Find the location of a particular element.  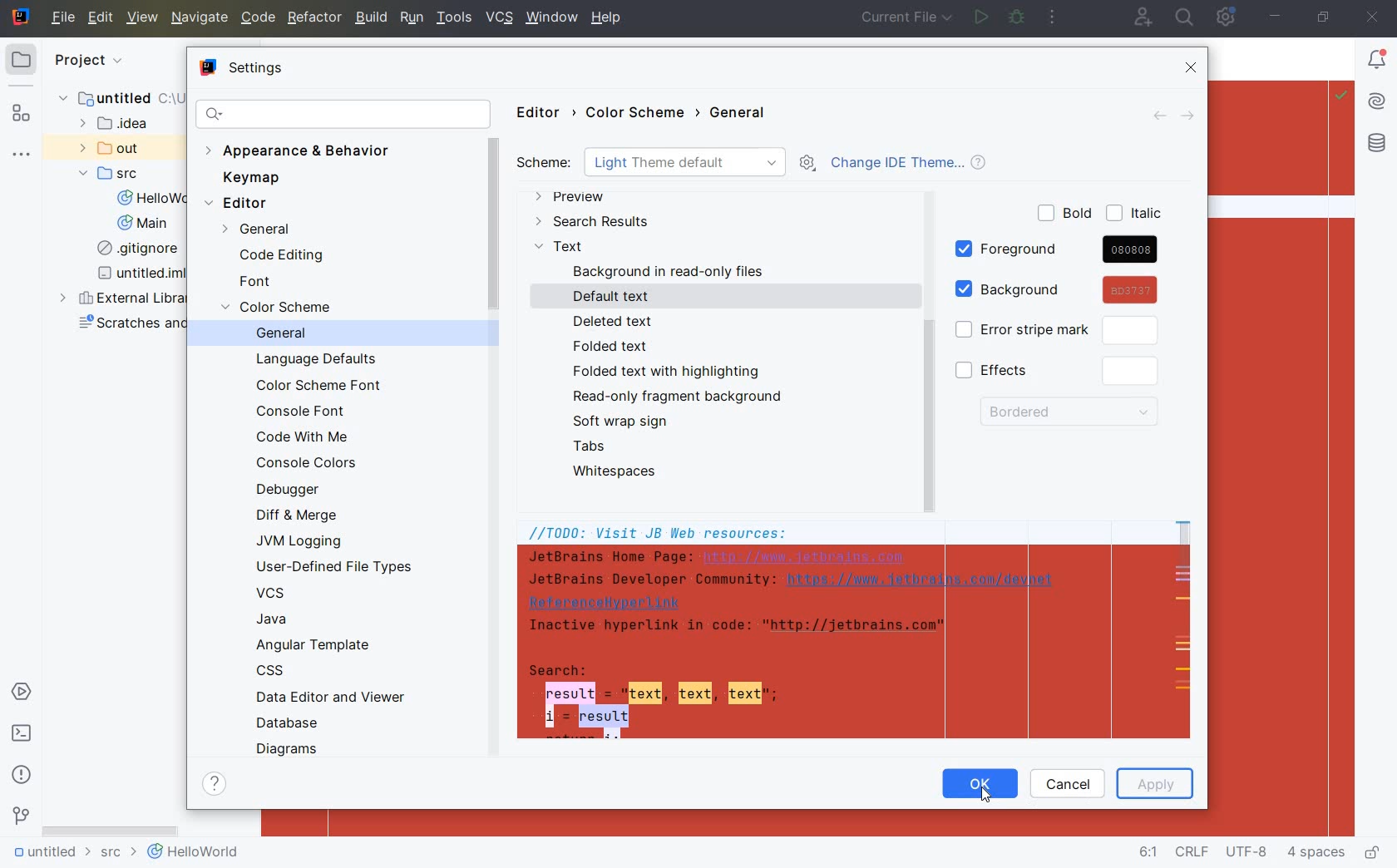

DIAGRAMS is located at coordinates (289, 748).